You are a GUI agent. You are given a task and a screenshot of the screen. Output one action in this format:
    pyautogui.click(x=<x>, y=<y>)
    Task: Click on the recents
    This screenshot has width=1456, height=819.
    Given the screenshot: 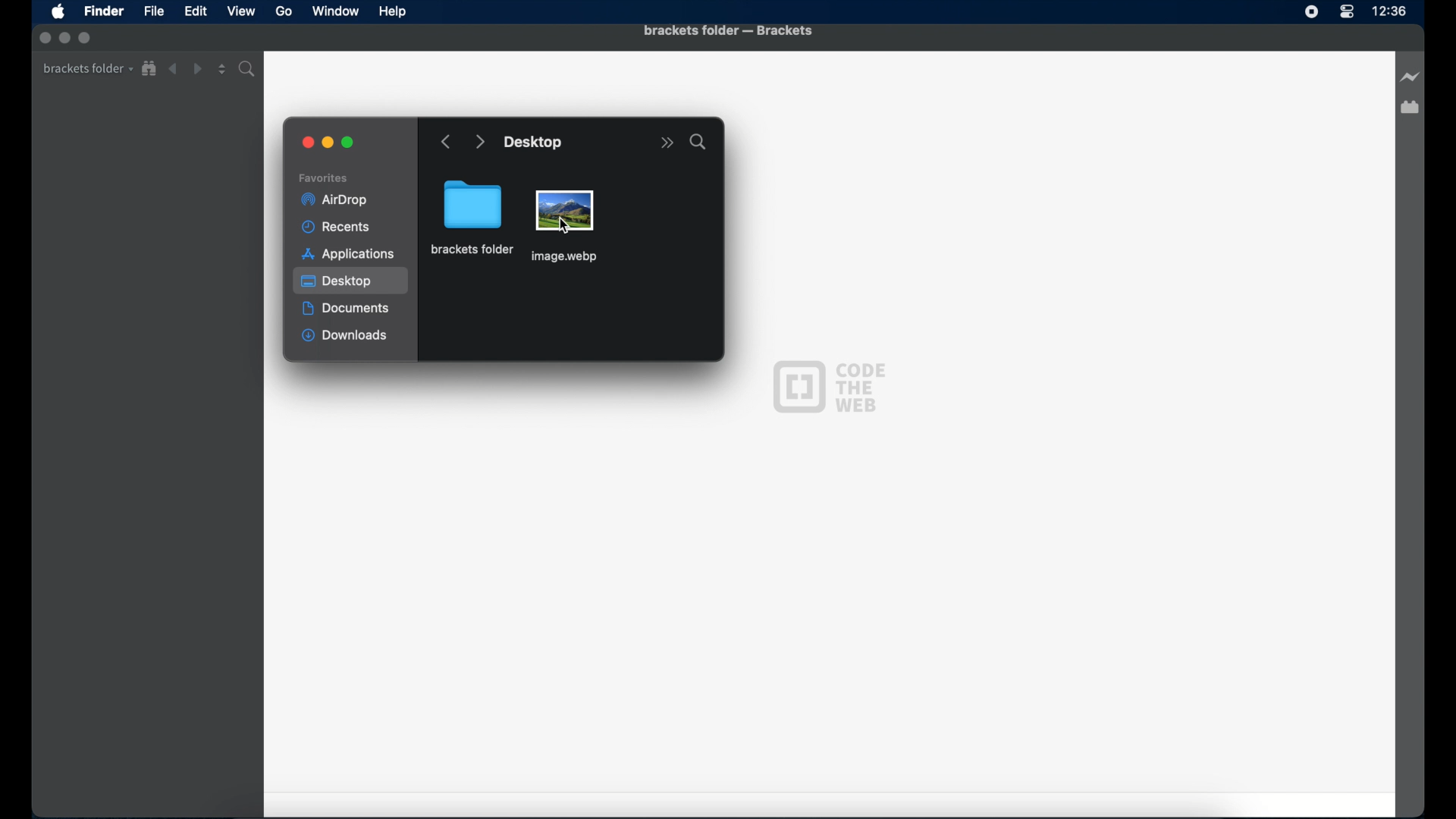 What is the action you would take?
    pyautogui.click(x=339, y=227)
    